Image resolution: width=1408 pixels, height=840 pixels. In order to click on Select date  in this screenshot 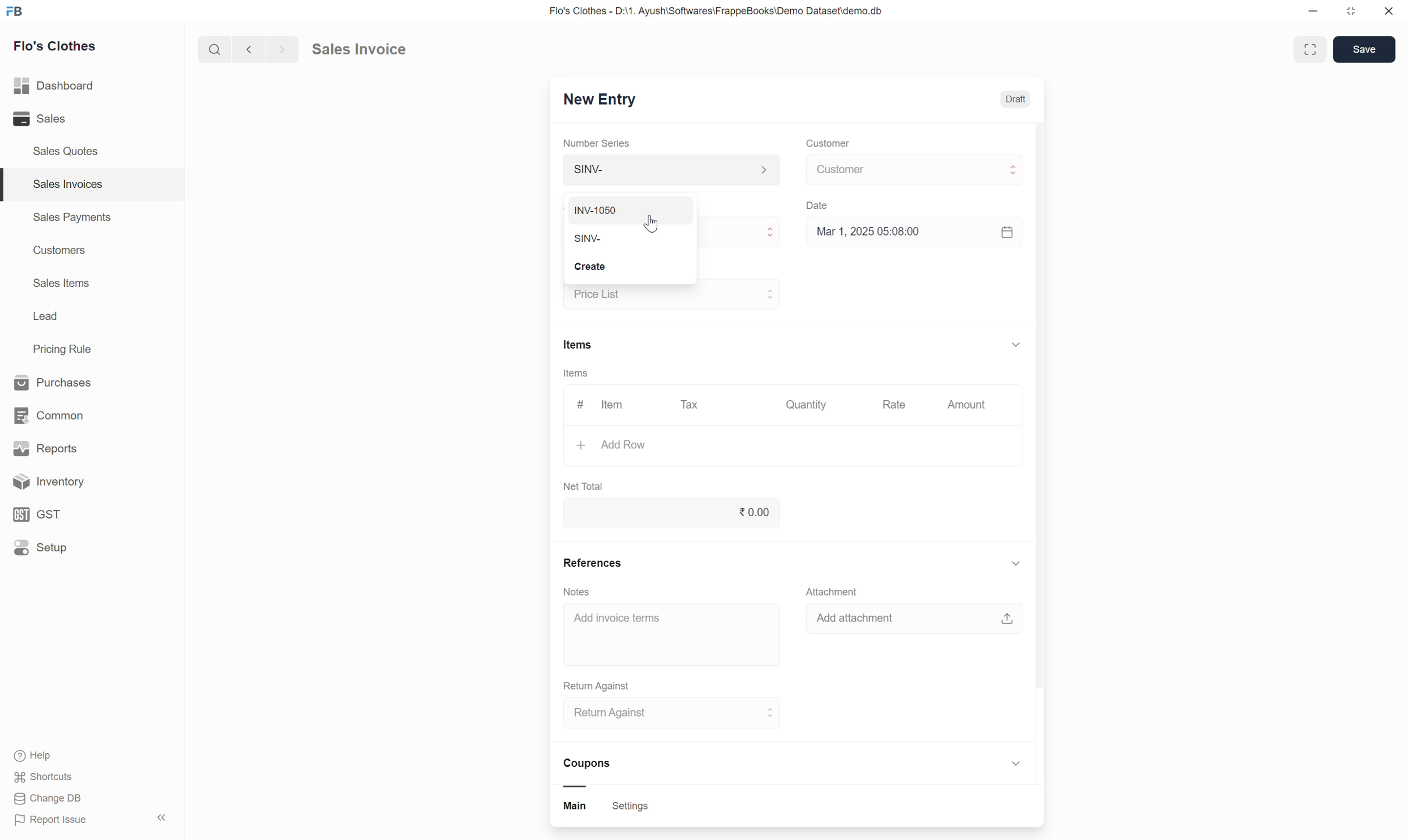, I will do `click(914, 236)`.